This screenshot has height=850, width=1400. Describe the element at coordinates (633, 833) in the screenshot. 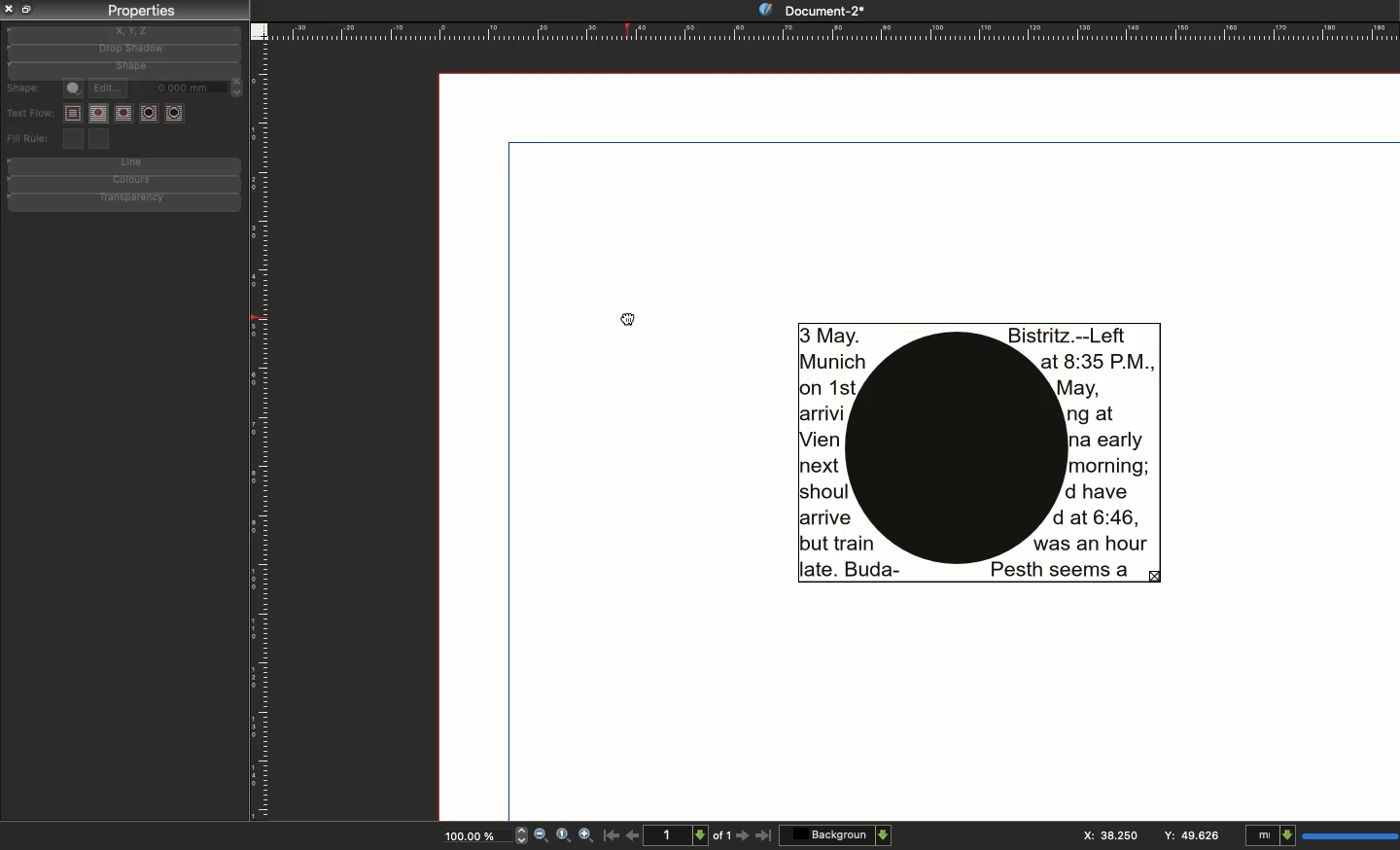

I see `Previous page` at that location.